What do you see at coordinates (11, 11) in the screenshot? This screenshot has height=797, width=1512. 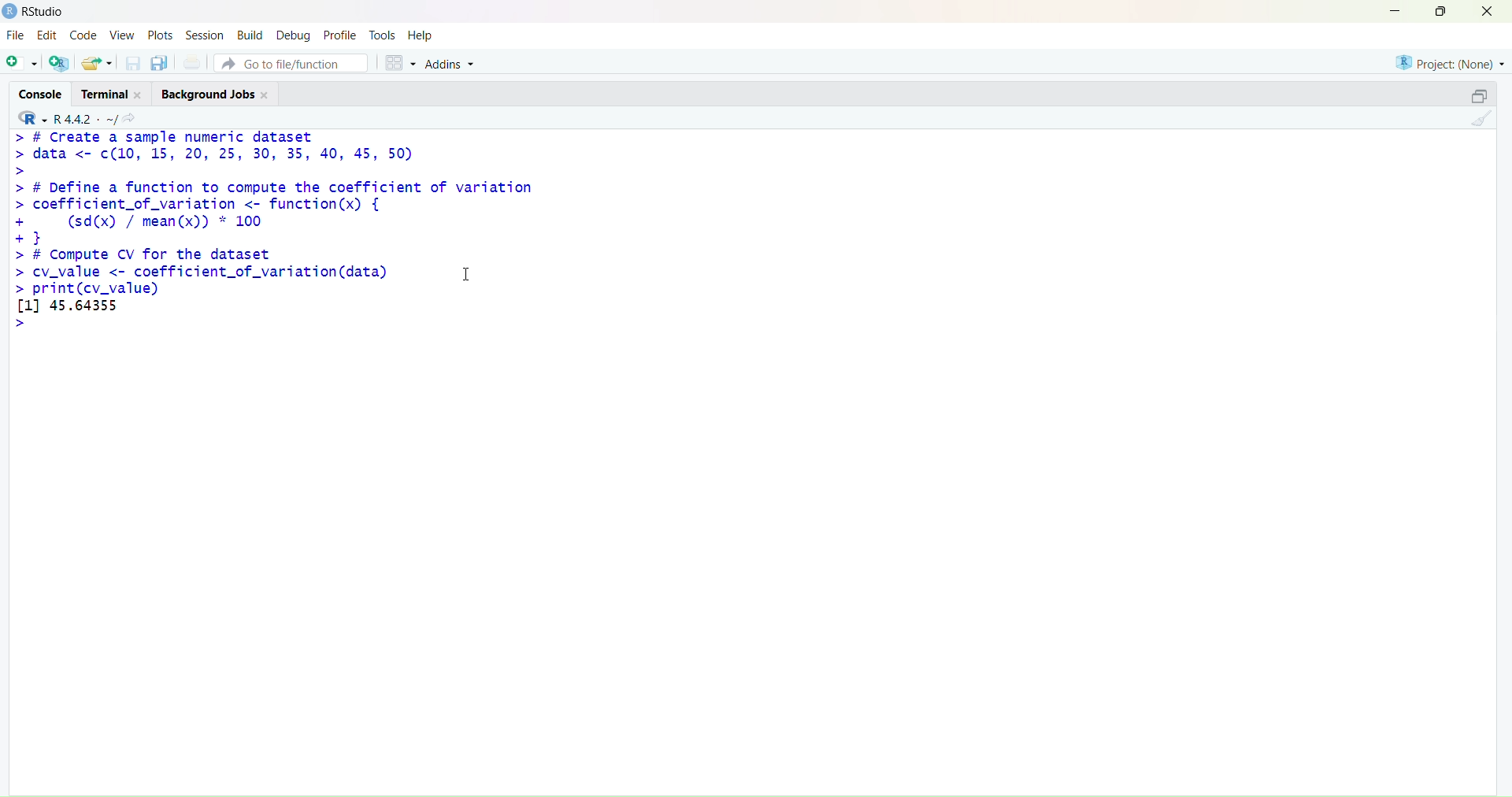 I see `logo` at bounding box center [11, 11].